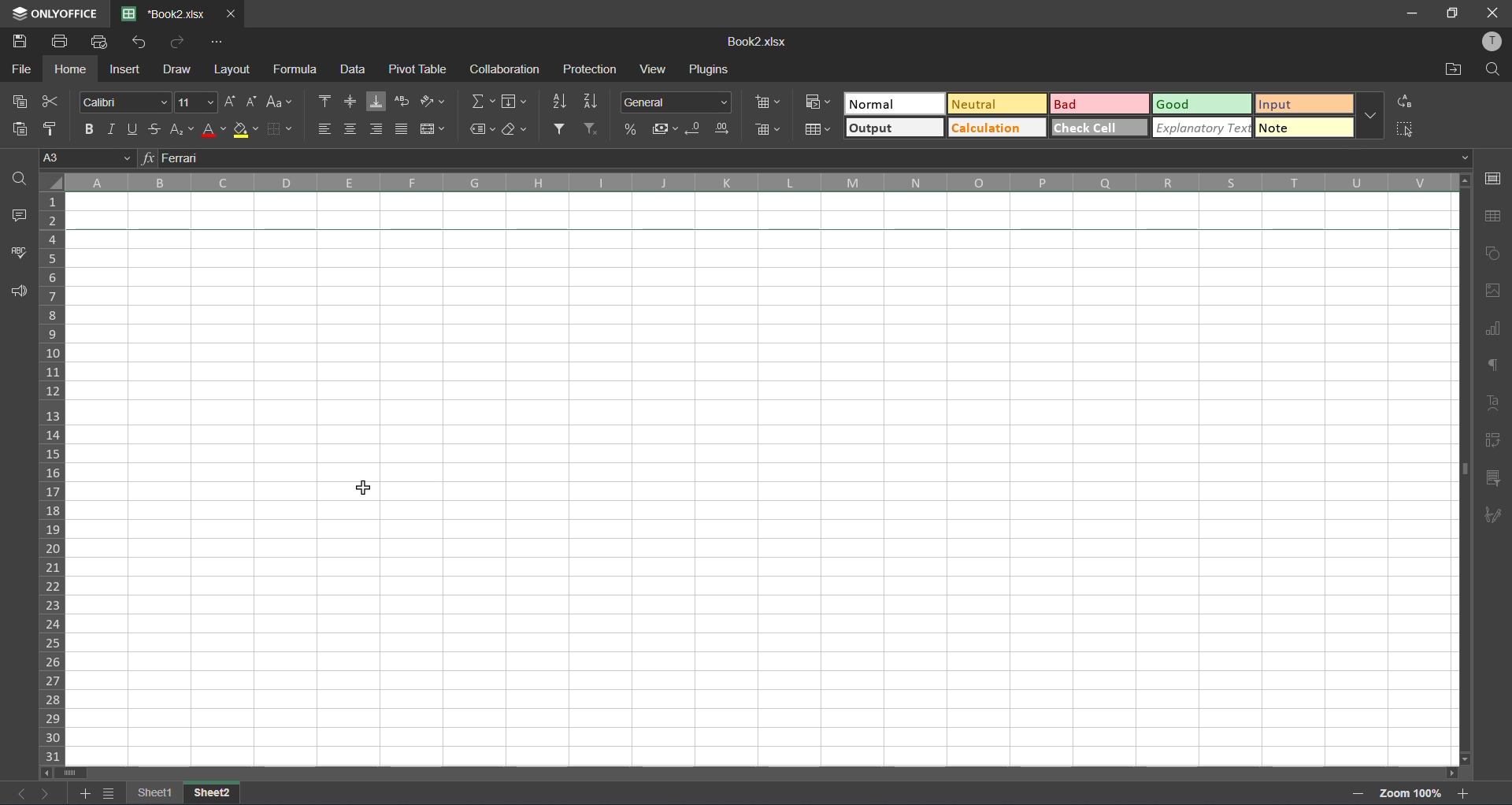 The image size is (1512, 805). I want to click on profile, so click(1493, 43).